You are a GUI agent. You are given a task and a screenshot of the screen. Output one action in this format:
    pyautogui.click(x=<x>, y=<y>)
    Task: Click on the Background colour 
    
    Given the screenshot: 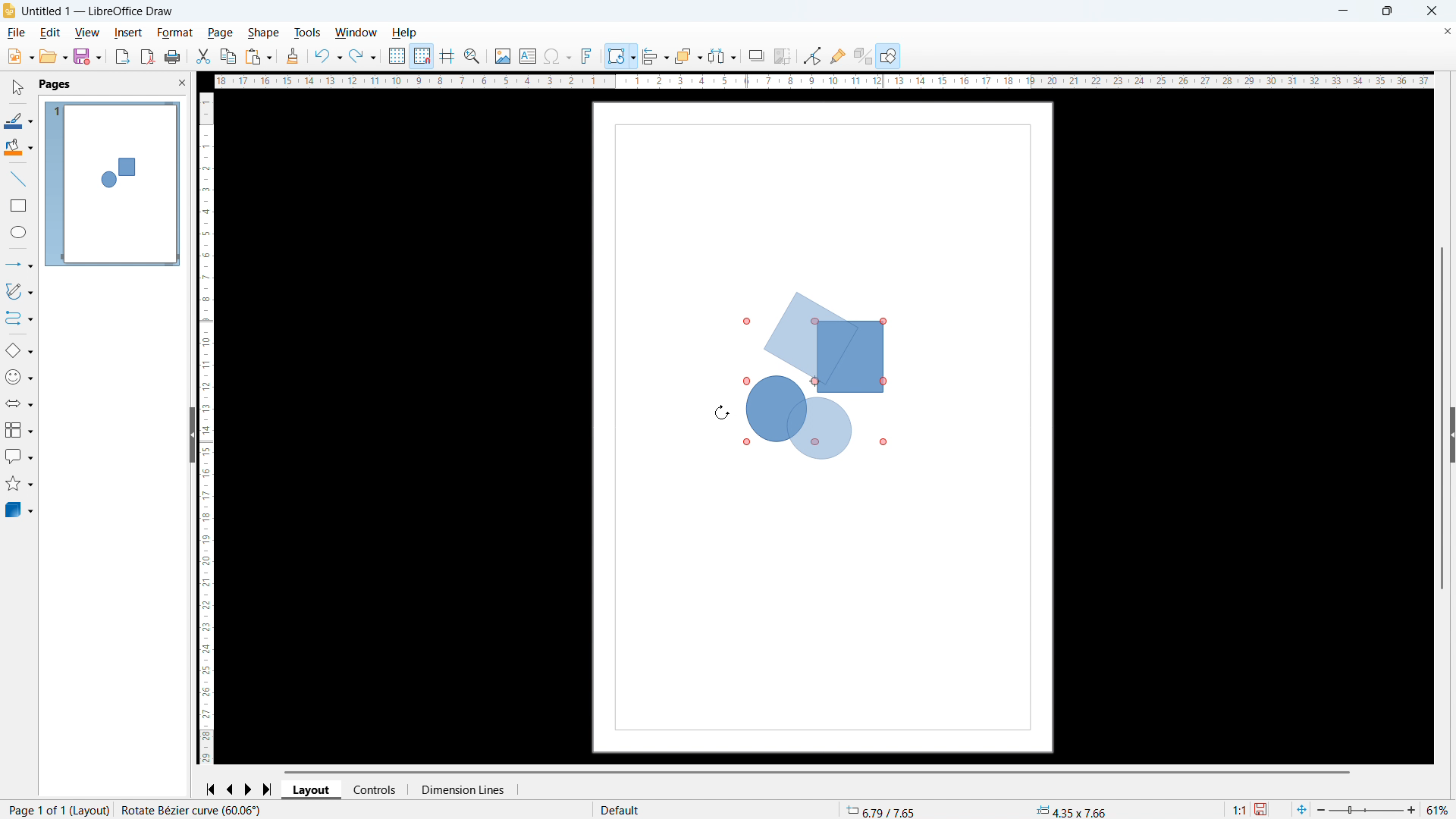 What is the action you would take?
    pyautogui.click(x=20, y=146)
    